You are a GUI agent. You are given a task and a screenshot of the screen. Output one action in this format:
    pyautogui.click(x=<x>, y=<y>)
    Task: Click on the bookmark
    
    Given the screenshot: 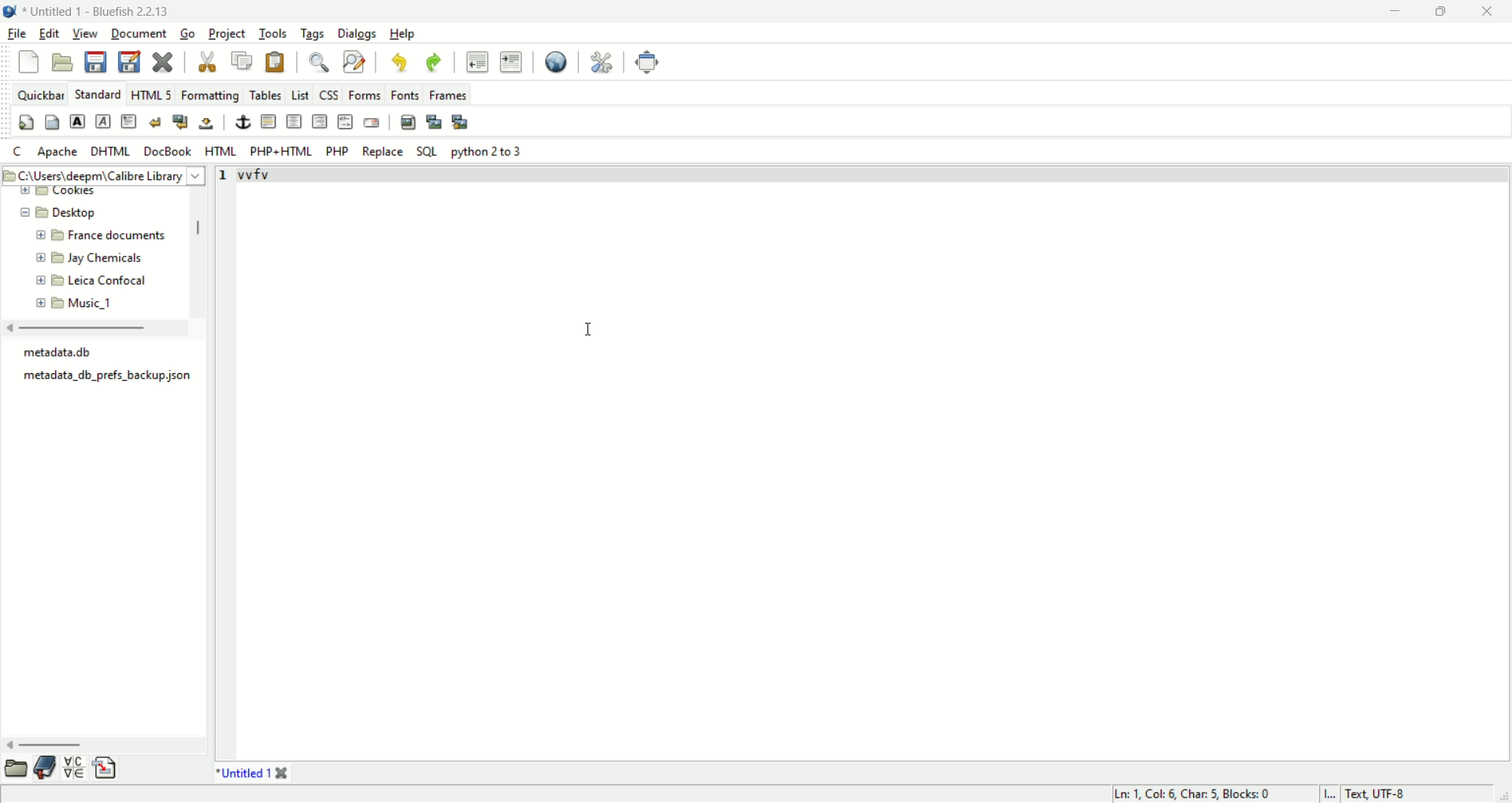 What is the action you would take?
    pyautogui.click(x=45, y=768)
    